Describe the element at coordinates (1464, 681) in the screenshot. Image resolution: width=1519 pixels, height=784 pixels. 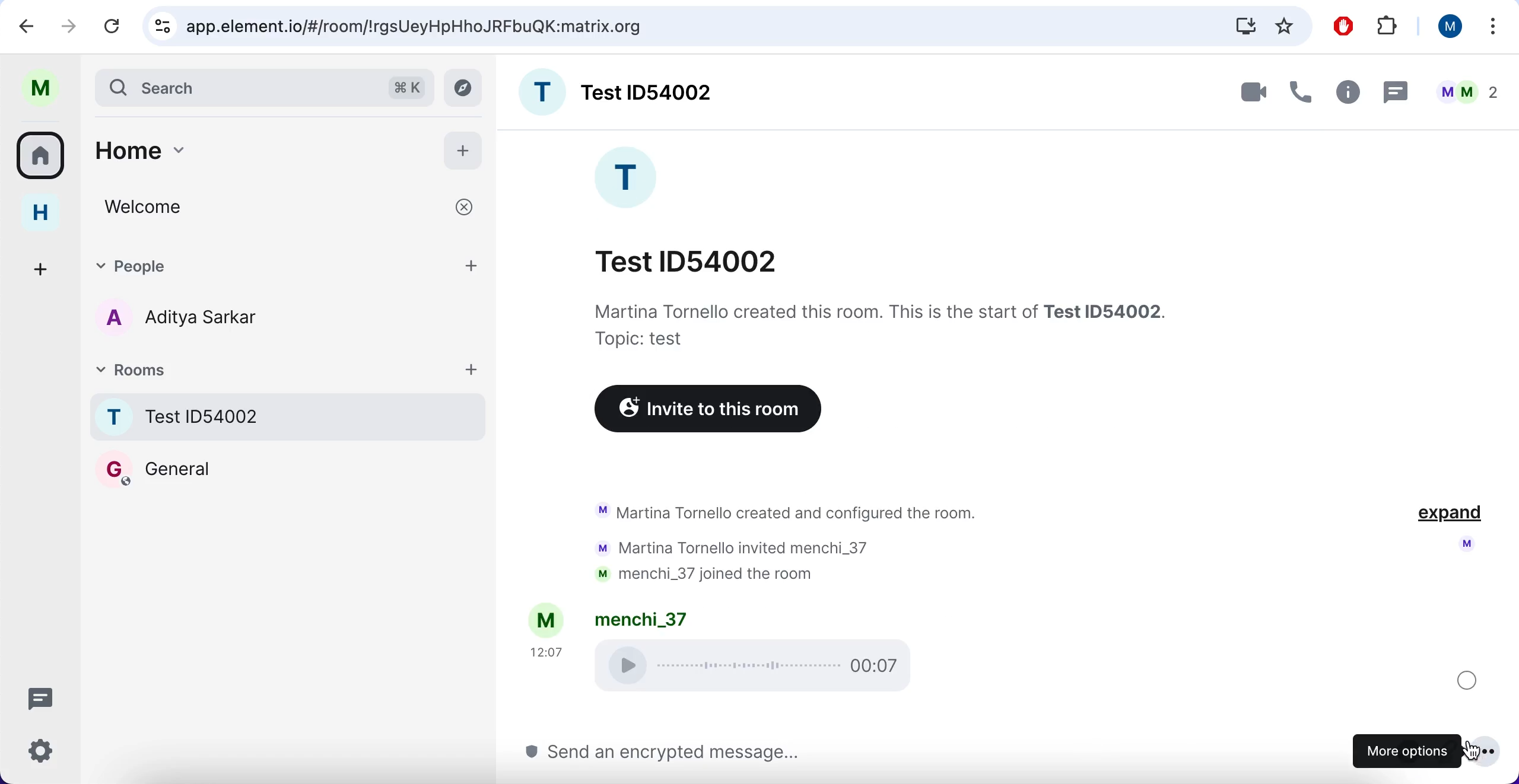
I see `sent message` at that location.